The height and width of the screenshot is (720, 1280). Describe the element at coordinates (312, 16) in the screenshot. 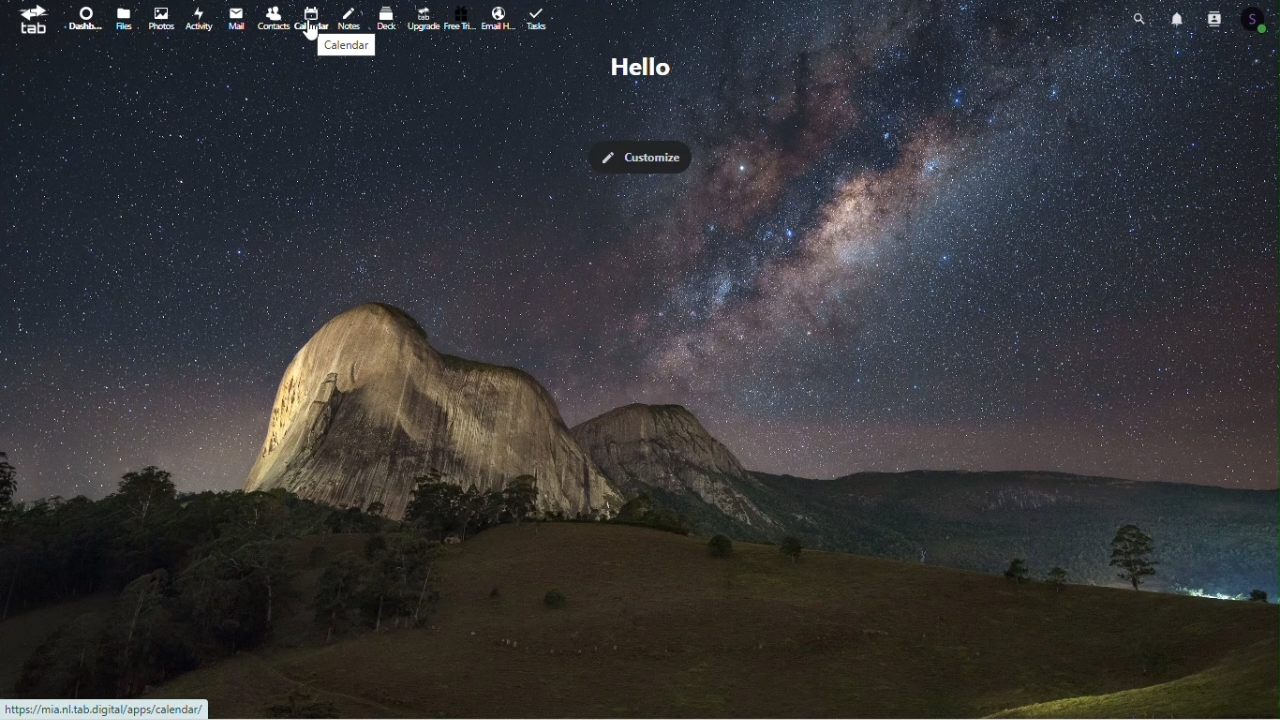

I see `calendar` at that location.